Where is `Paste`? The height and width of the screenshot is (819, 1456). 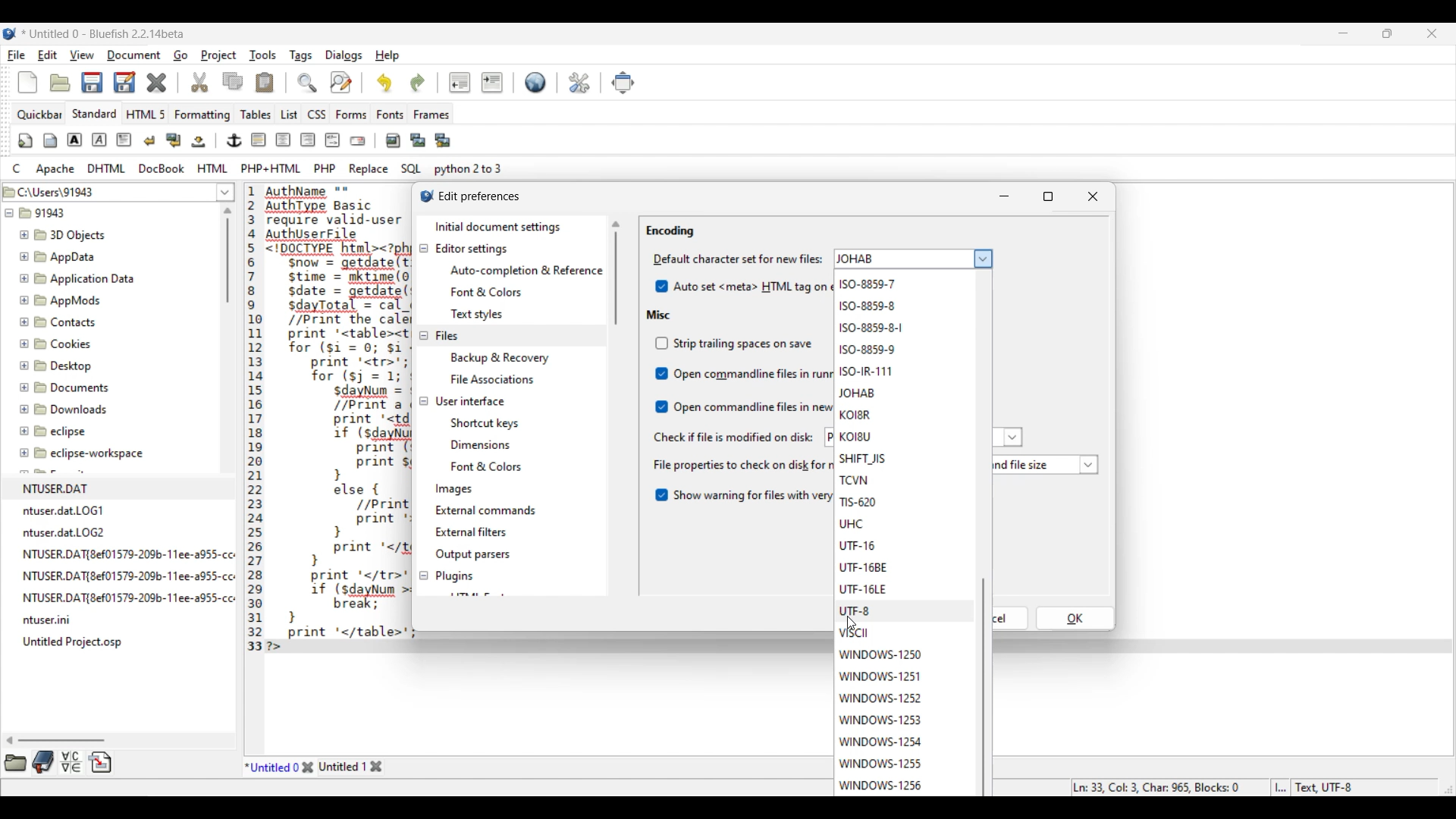 Paste is located at coordinates (265, 82).